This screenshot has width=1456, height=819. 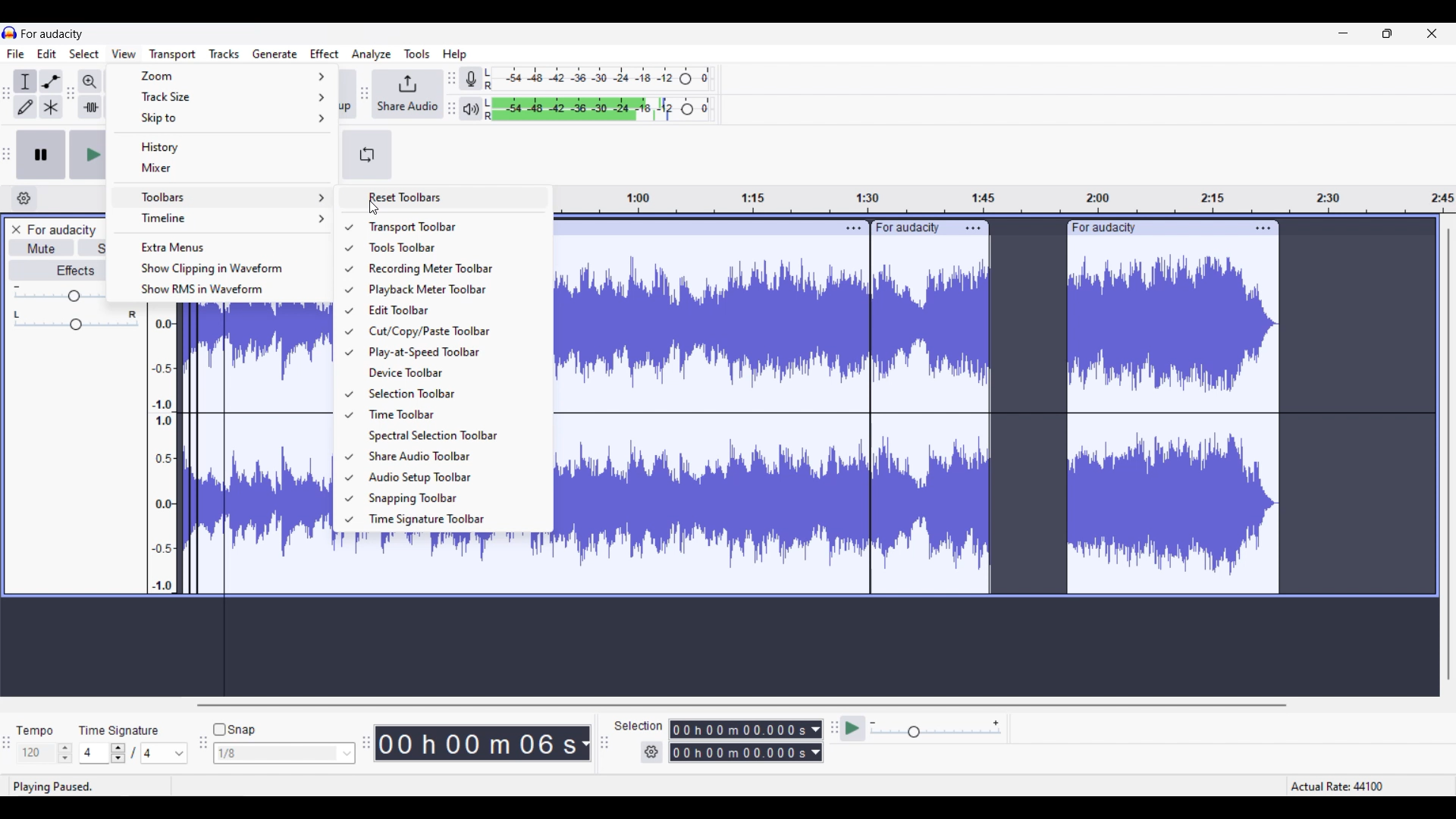 I want to click on Show RMS in waveform, so click(x=225, y=290).